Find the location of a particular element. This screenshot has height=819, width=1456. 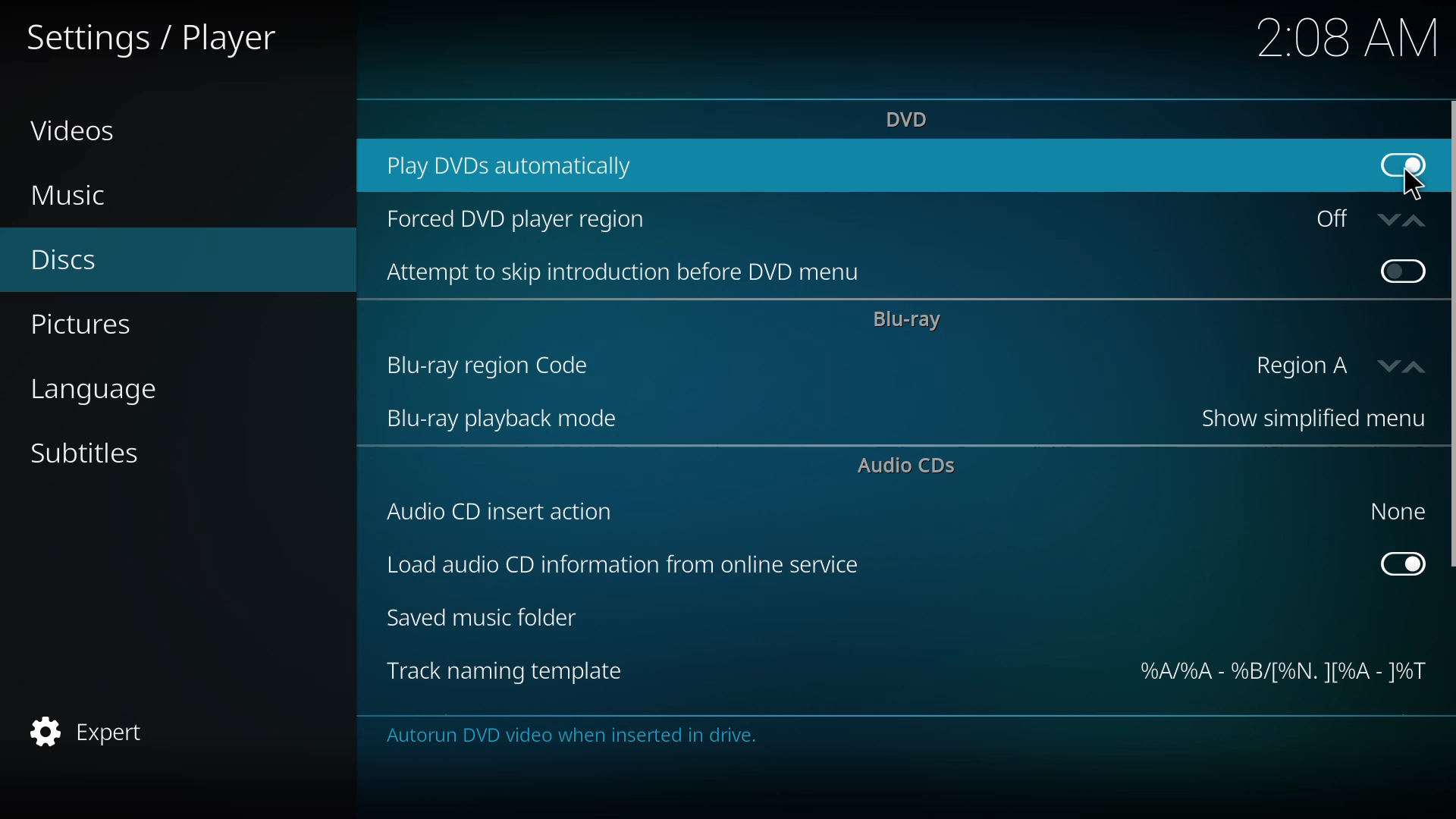

time is located at coordinates (1348, 36).